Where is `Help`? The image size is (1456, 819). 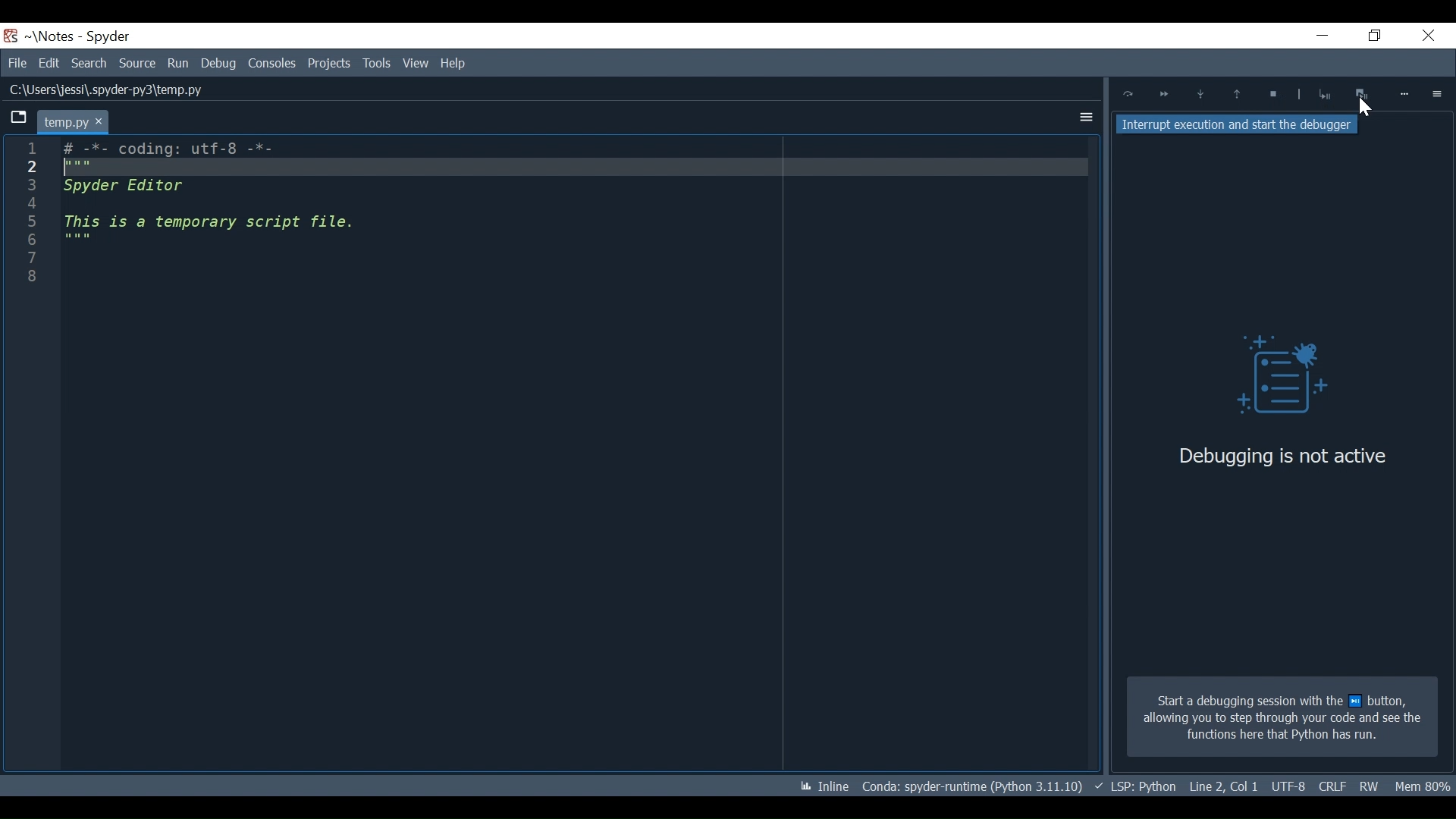 Help is located at coordinates (414, 64).